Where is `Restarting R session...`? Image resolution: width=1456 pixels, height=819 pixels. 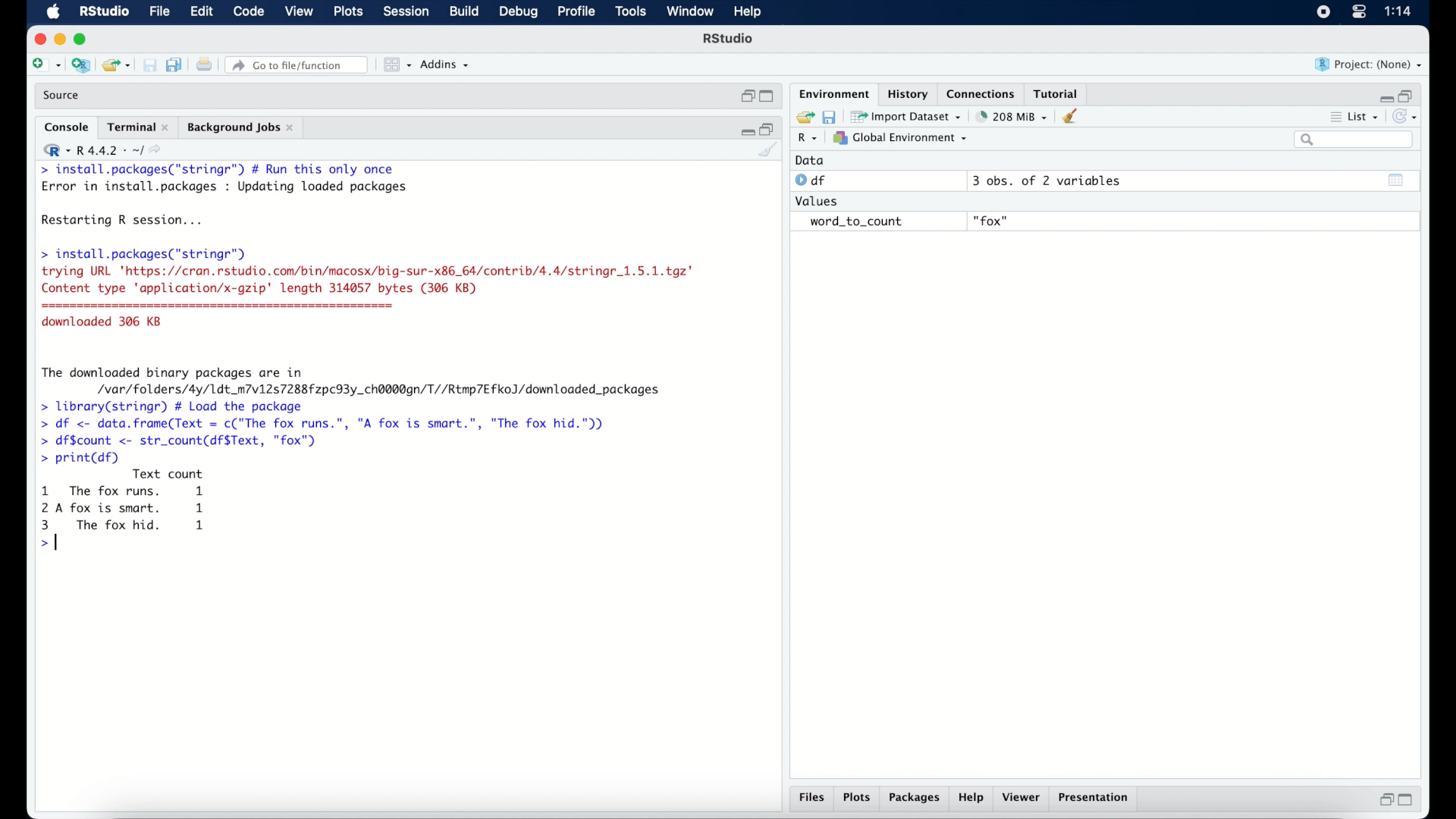 Restarting R session... is located at coordinates (126, 221).